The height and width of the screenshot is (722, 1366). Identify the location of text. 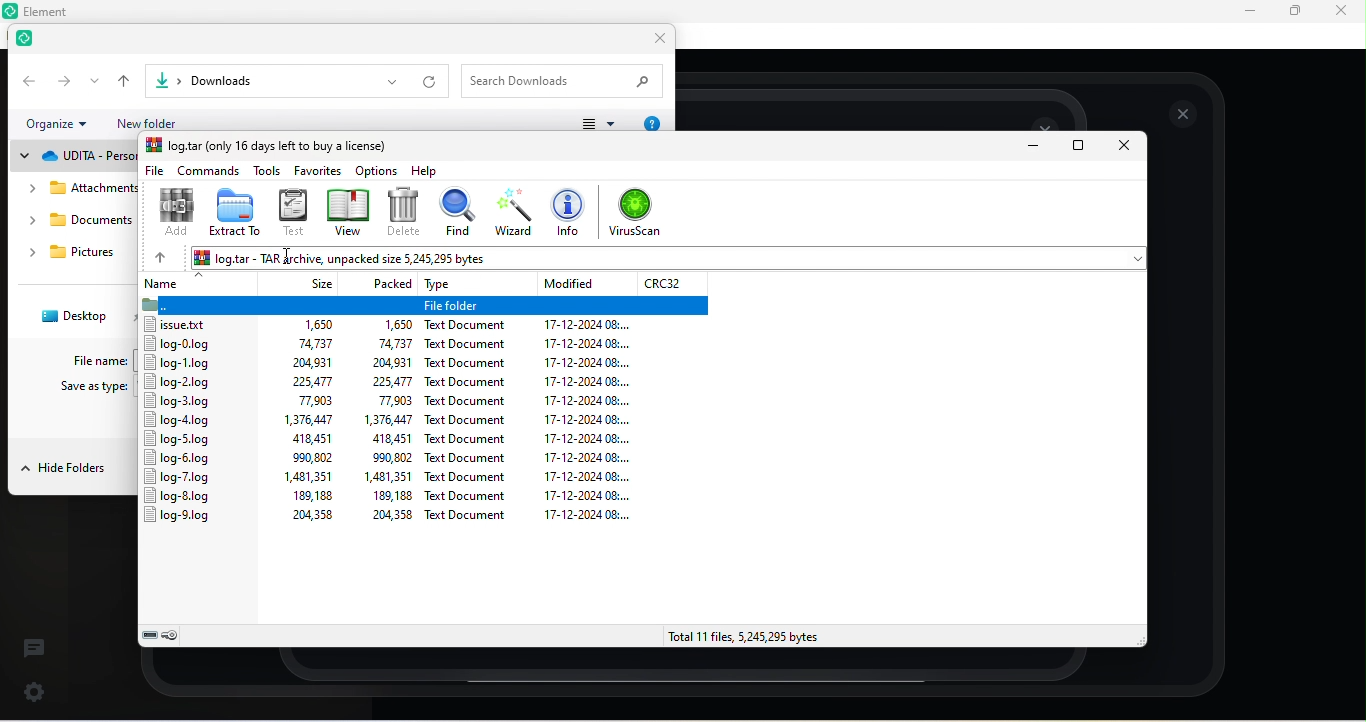
(291, 213).